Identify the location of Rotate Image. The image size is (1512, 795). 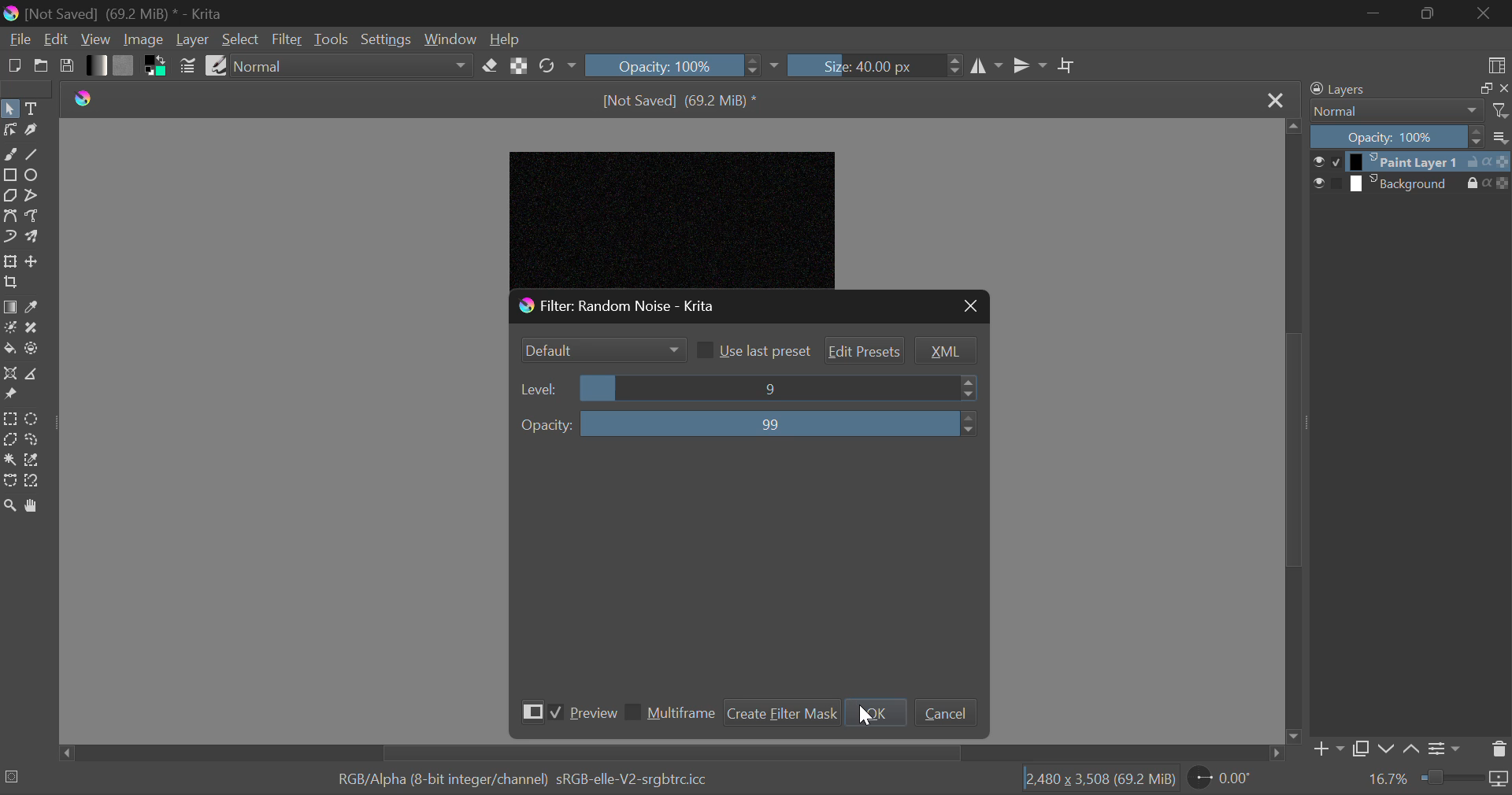
(556, 66).